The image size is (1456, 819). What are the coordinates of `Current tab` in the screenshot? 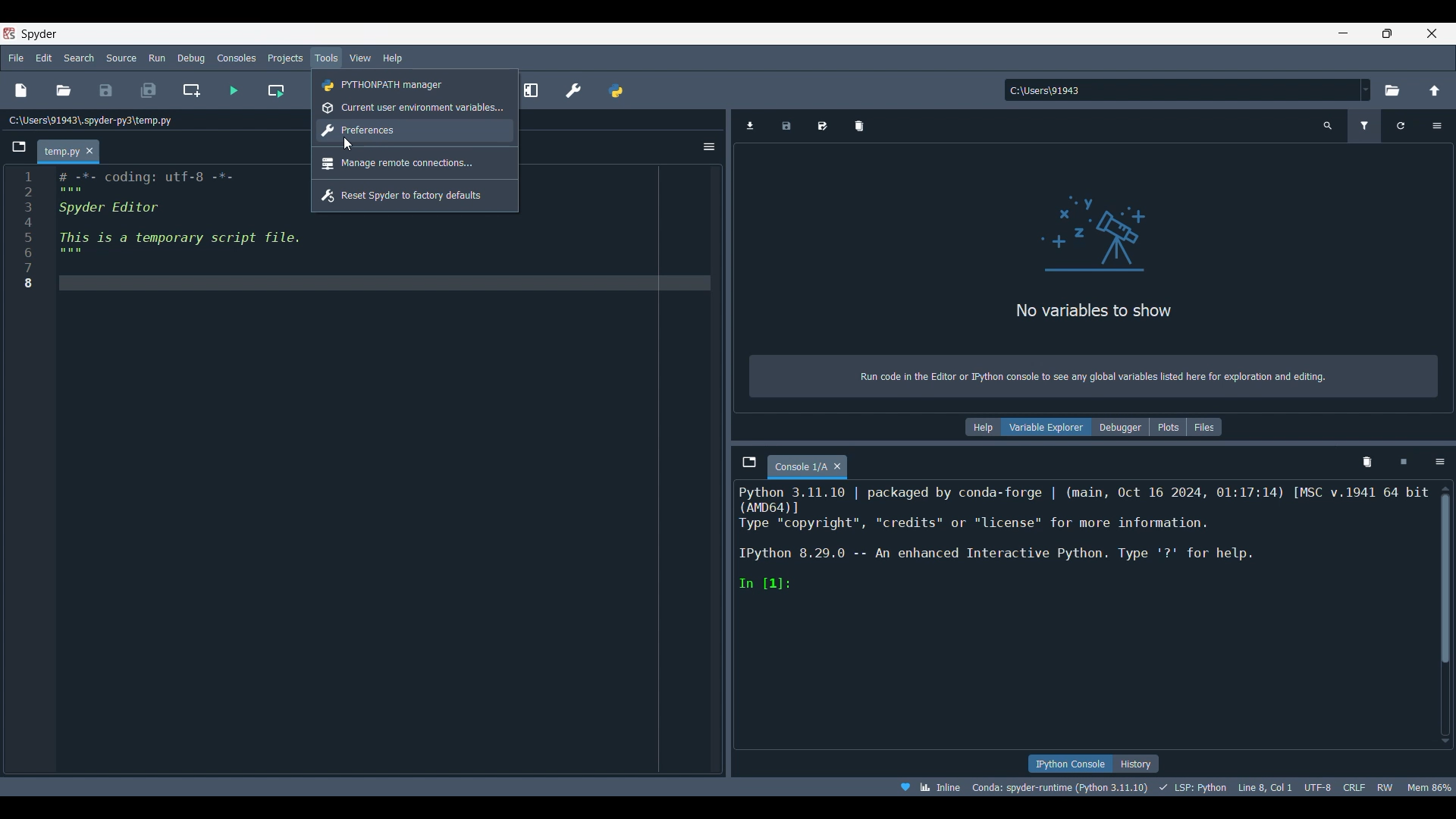 It's located at (800, 467).